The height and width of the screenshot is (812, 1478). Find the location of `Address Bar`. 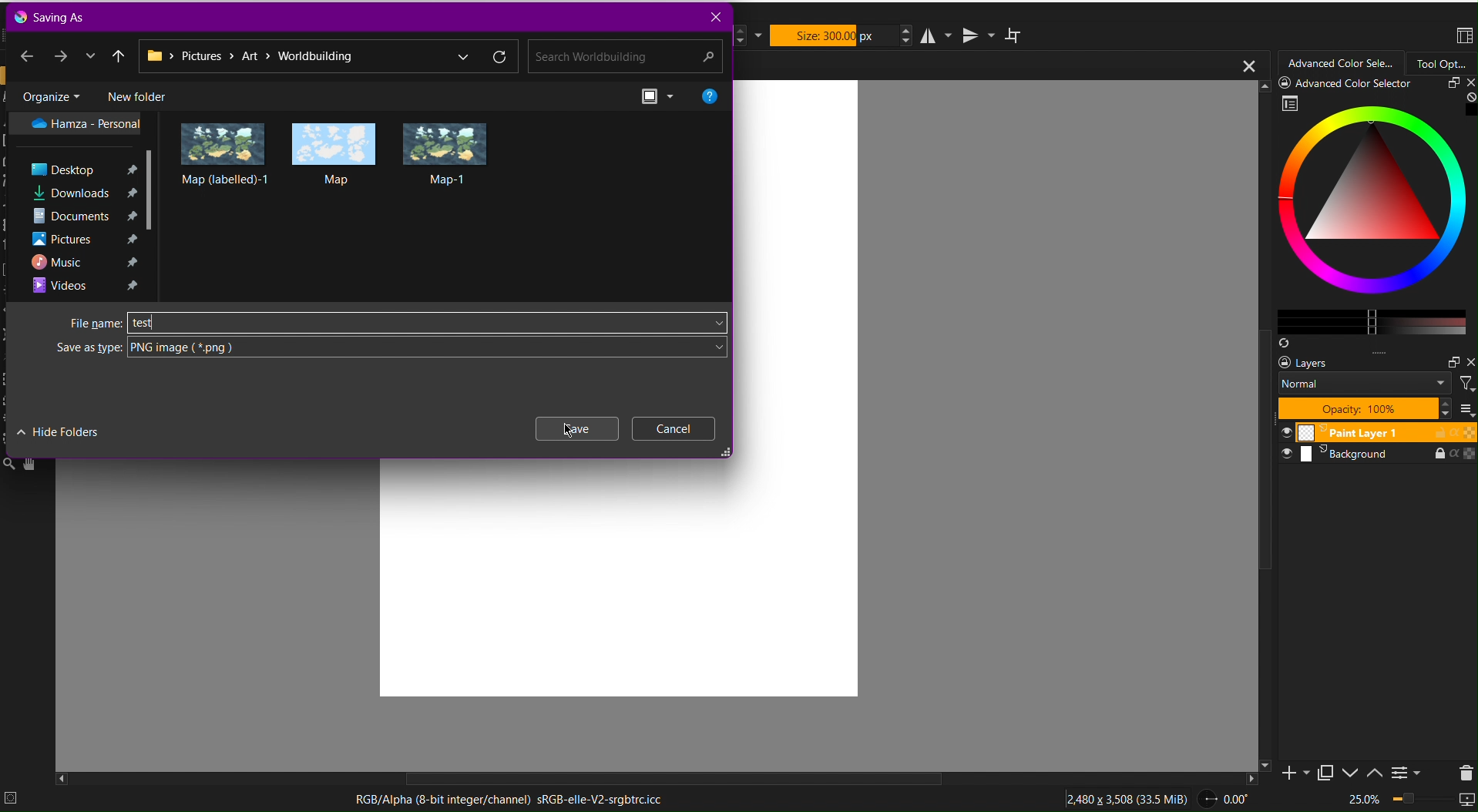

Address Bar is located at coordinates (328, 57).